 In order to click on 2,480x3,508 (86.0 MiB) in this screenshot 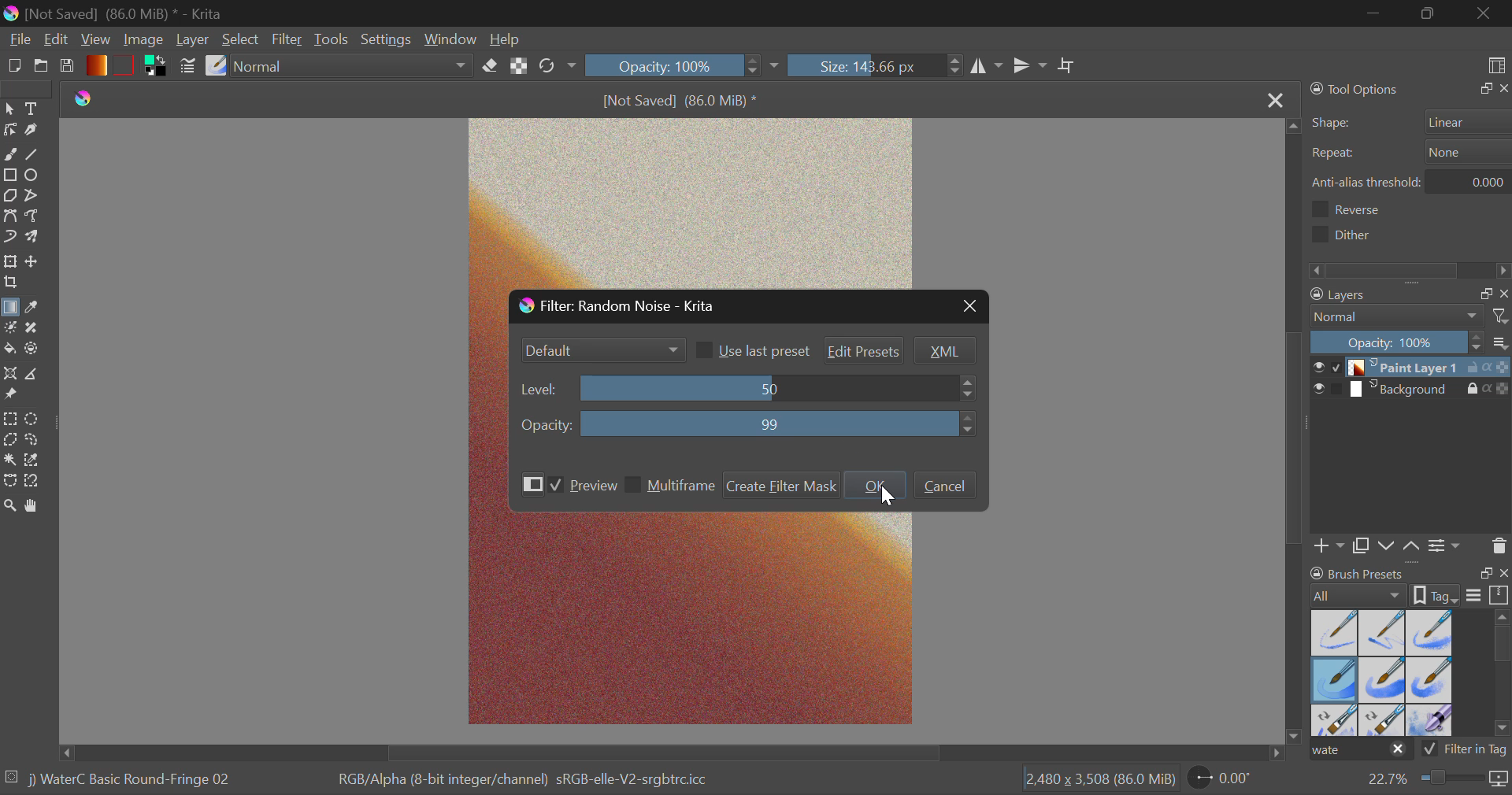, I will do `click(1098, 780)`.